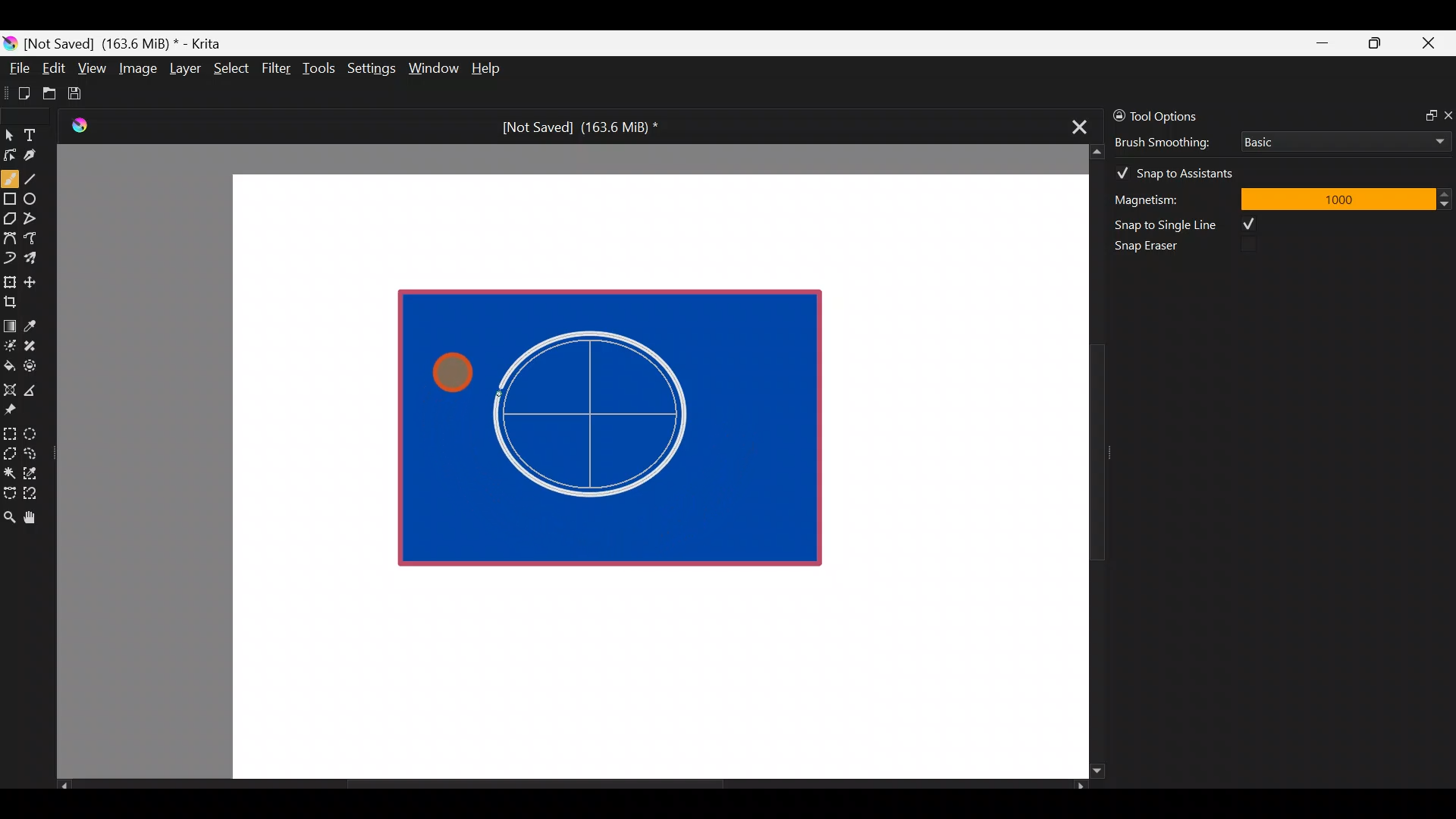 This screenshot has width=1456, height=819. Describe the element at coordinates (15, 71) in the screenshot. I see `File` at that location.